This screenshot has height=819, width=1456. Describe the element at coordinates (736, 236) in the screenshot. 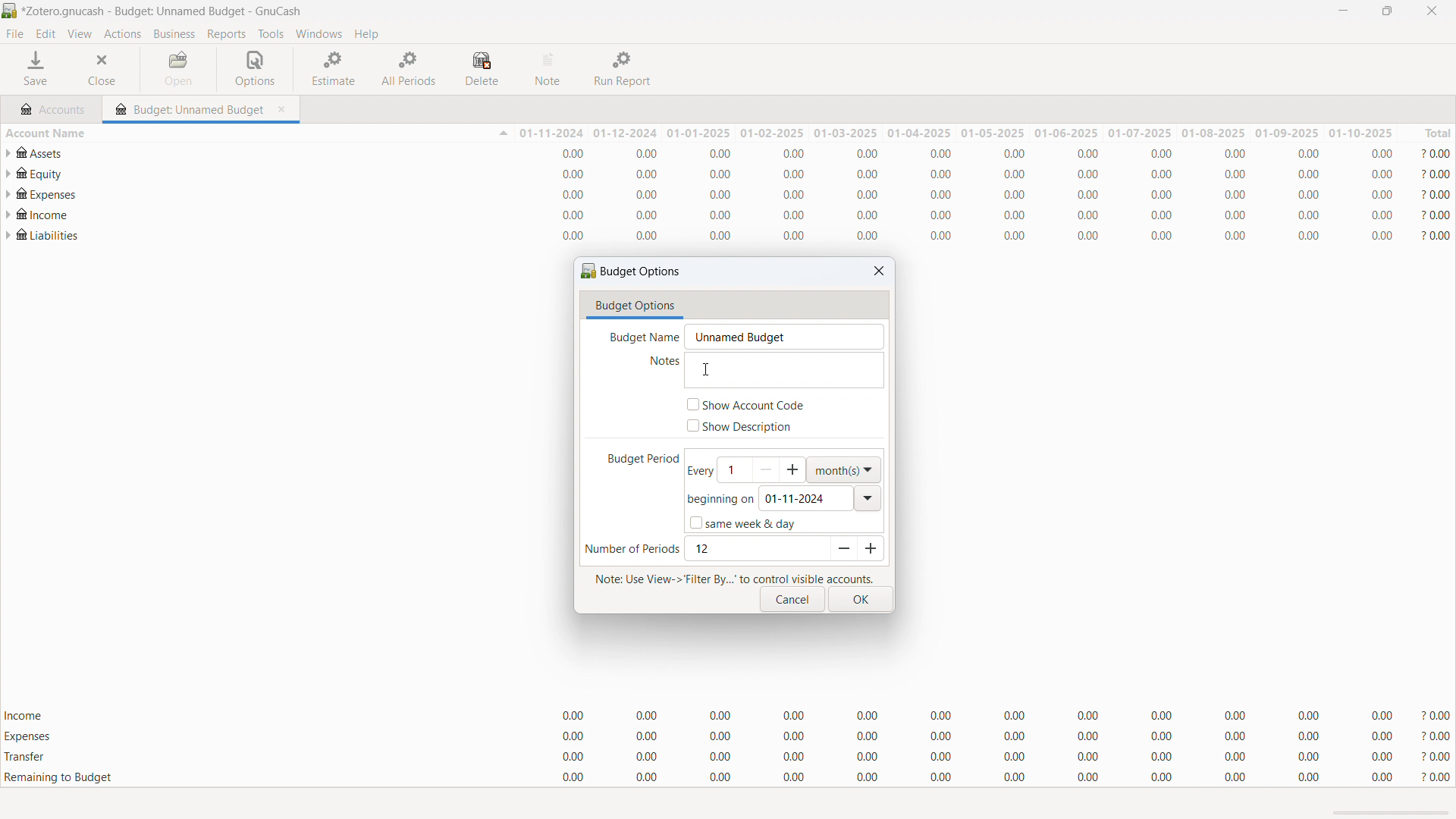

I see `account statement for "Liabilities"` at that location.